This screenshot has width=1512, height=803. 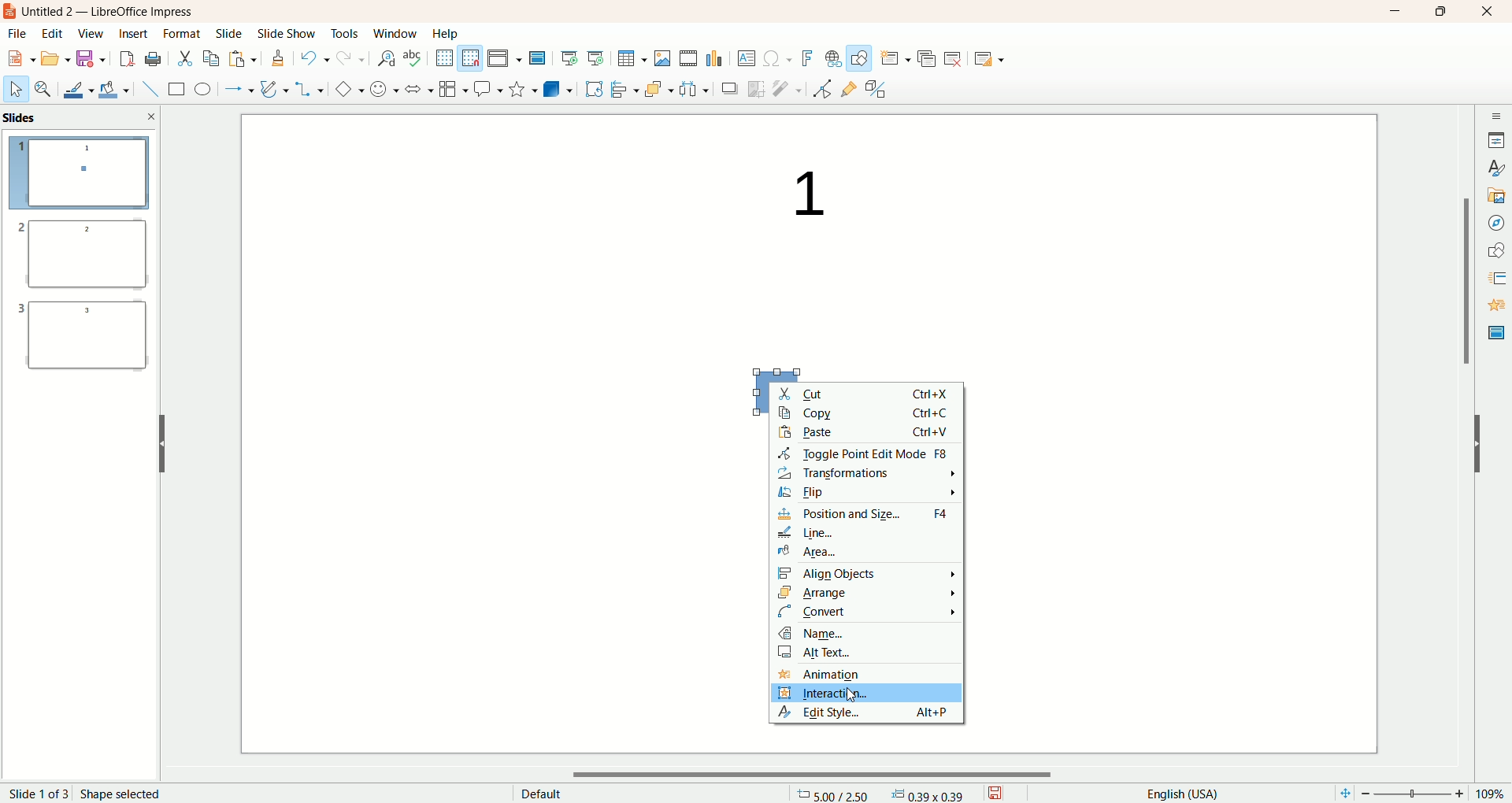 What do you see at coordinates (869, 613) in the screenshot?
I see `convert` at bounding box center [869, 613].